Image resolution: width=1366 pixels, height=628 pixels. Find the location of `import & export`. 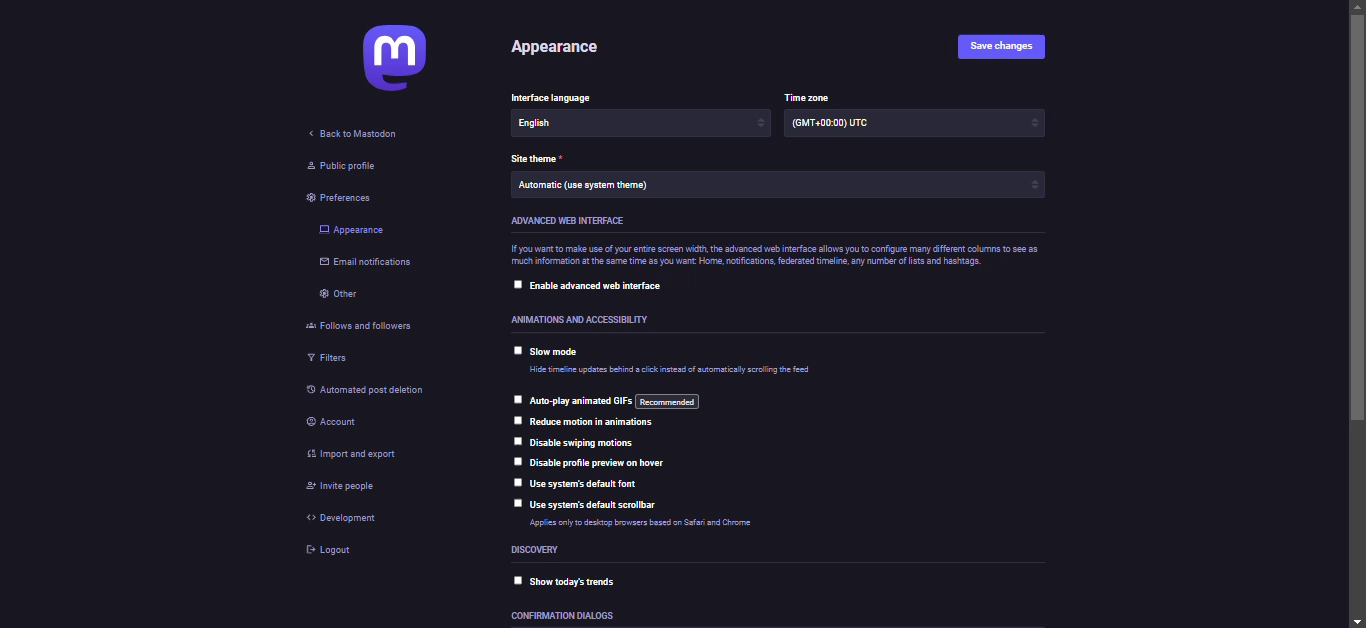

import & export is located at coordinates (355, 455).